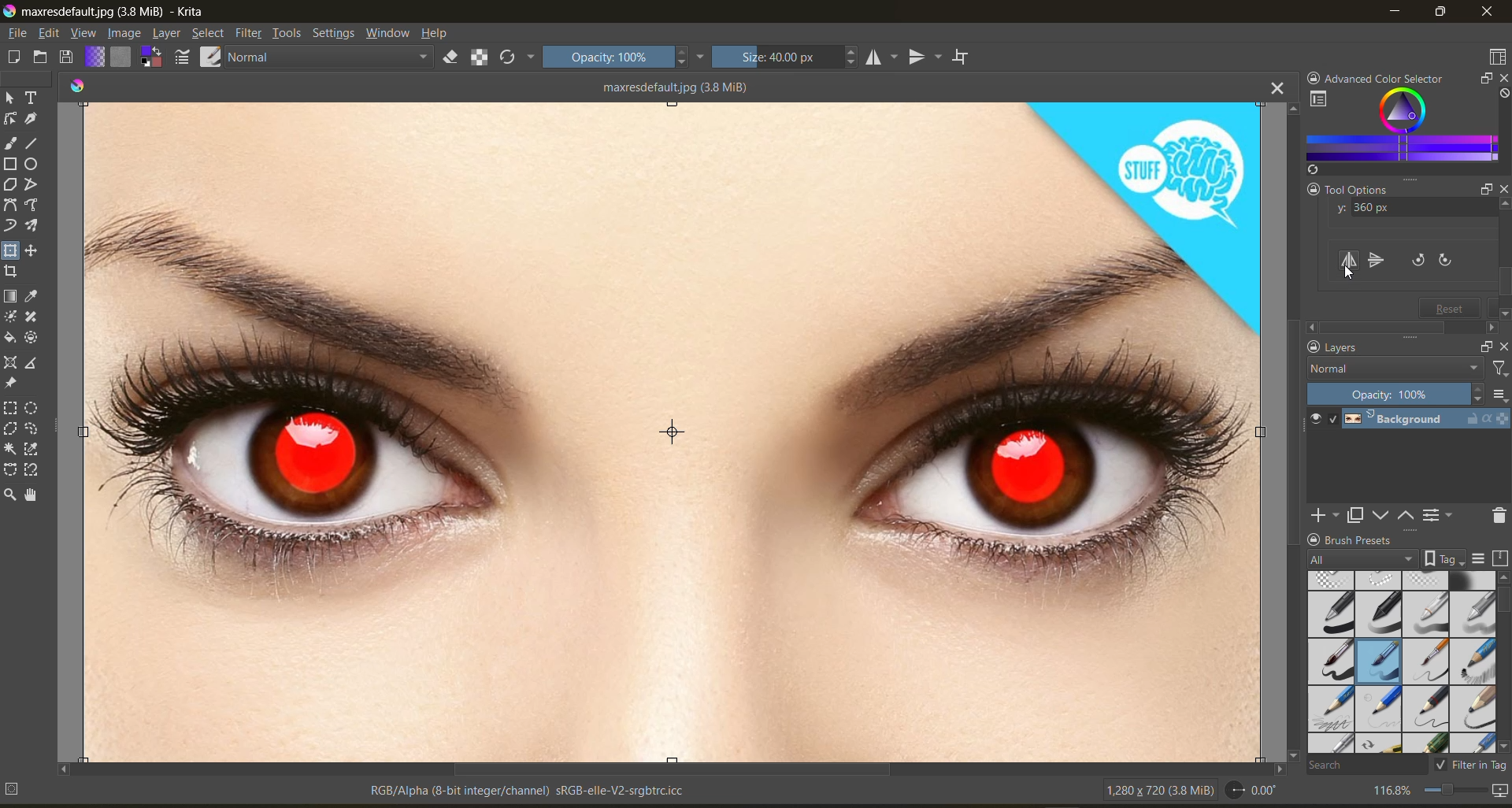 The width and height of the screenshot is (1512, 808). I want to click on tool, so click(31, 226).